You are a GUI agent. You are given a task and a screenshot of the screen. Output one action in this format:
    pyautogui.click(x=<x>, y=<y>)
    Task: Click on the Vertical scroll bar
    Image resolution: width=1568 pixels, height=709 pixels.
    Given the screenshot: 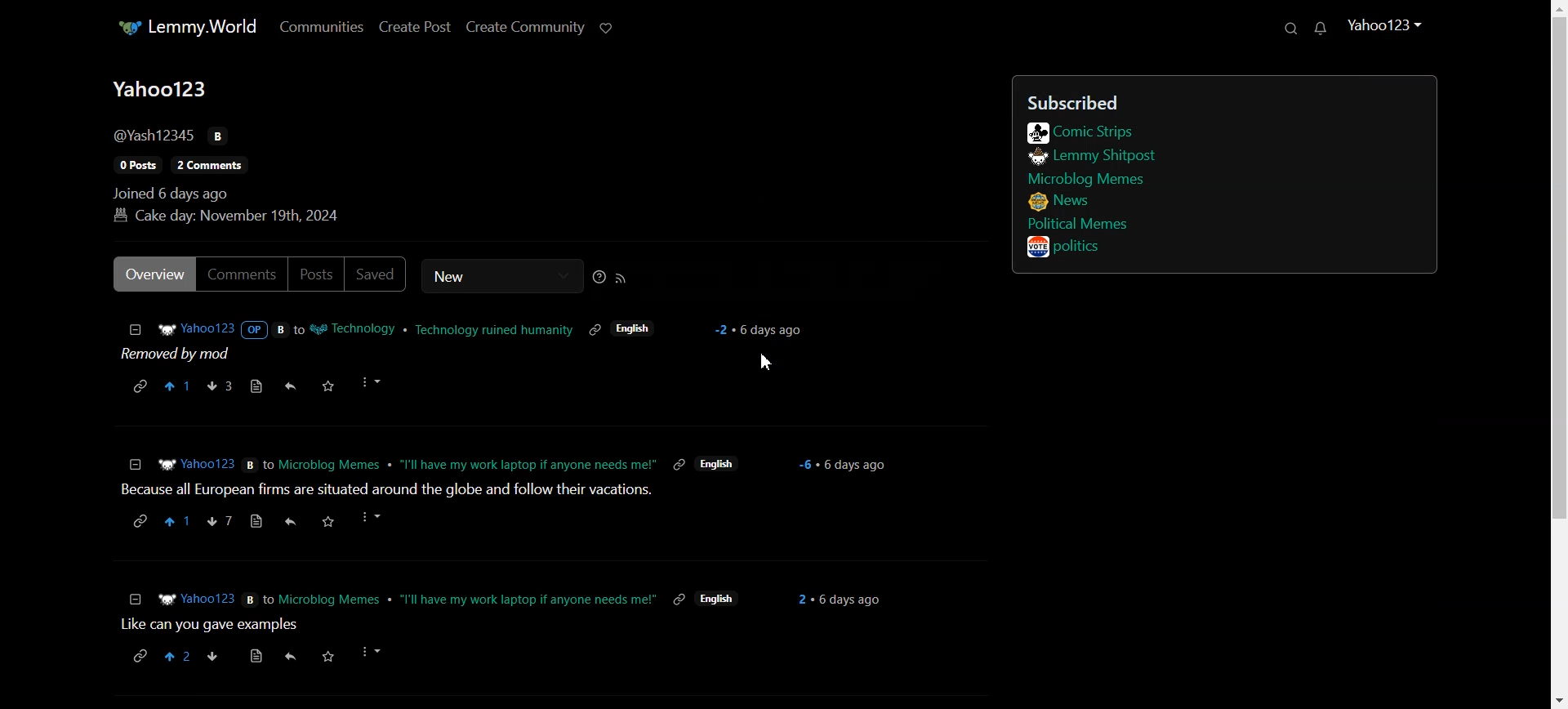 What is the action you would take?
    pyautogui.click(x=1558, y=354)
    